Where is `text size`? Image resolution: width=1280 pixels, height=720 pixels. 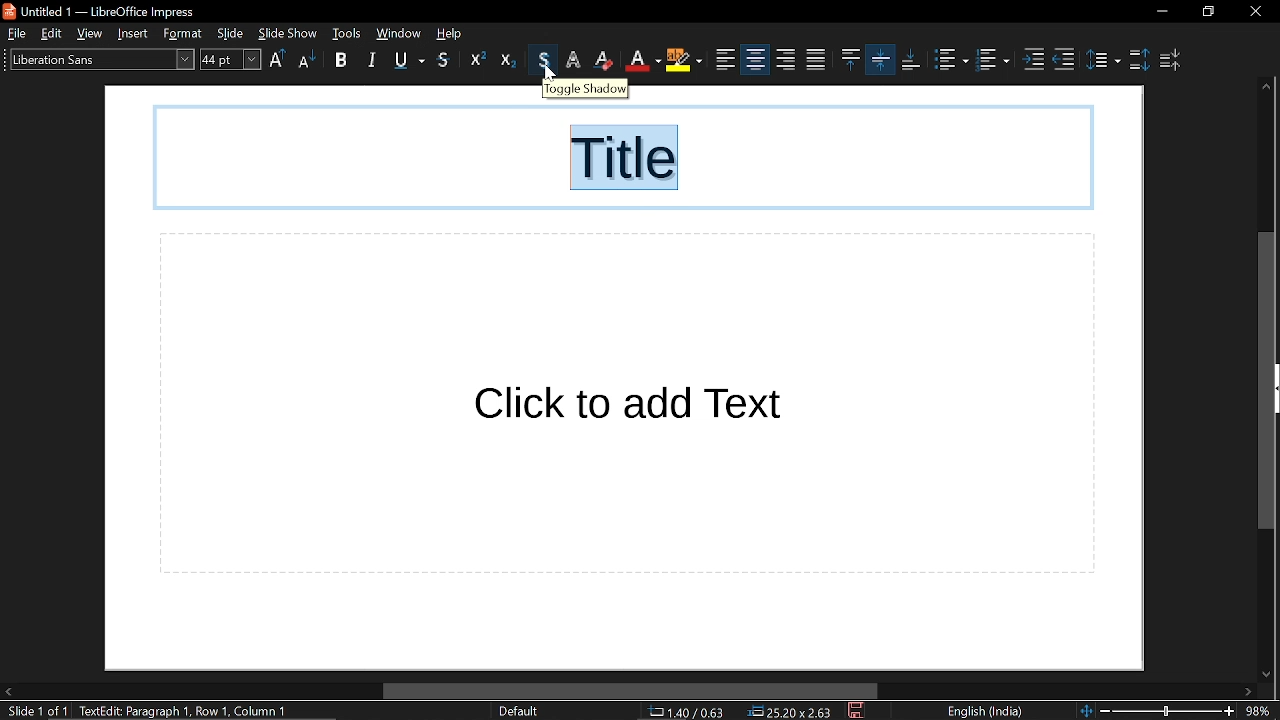
text size is located at coordinates (230, 59).